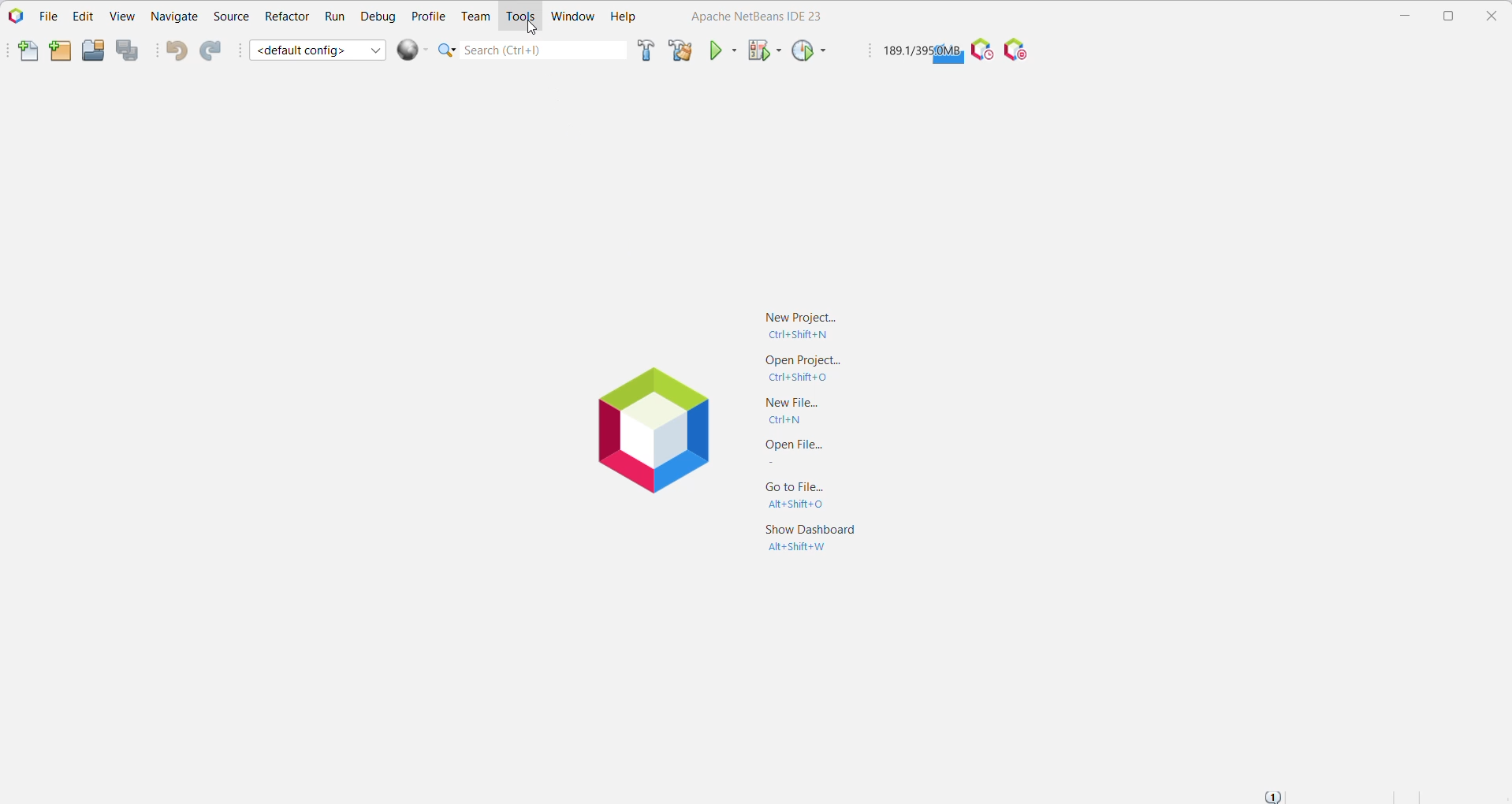 The width and height of the screenshot is (1512, 804). Describe the element at coordinates (121, 17) in the screenshot. I see `View` at that location.